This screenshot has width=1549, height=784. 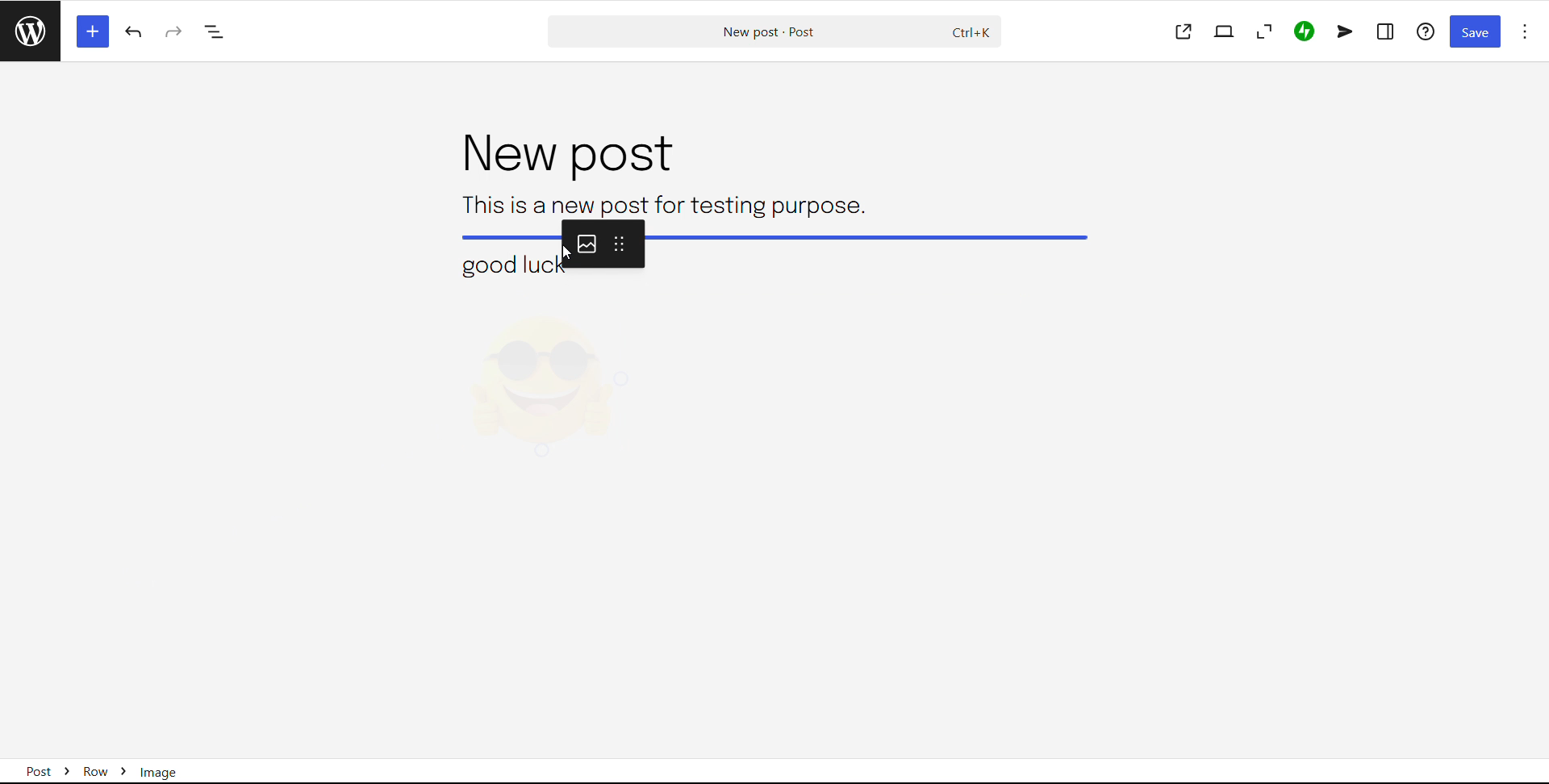 I want to click on cursor, so click(x=572, y=253).